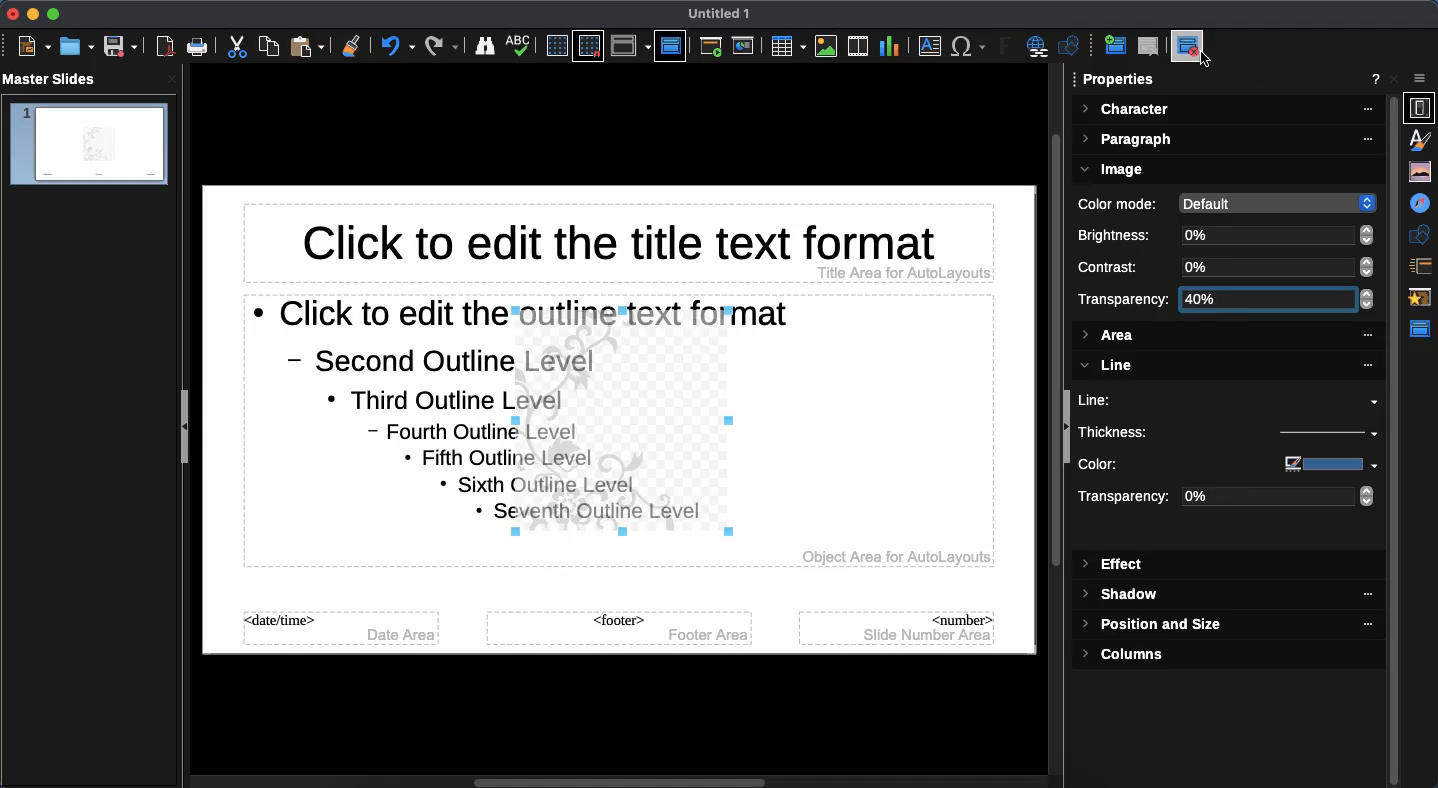 This screenshot has width=1438, height=788. I want to click on Spellcheck, so click(519, 44).